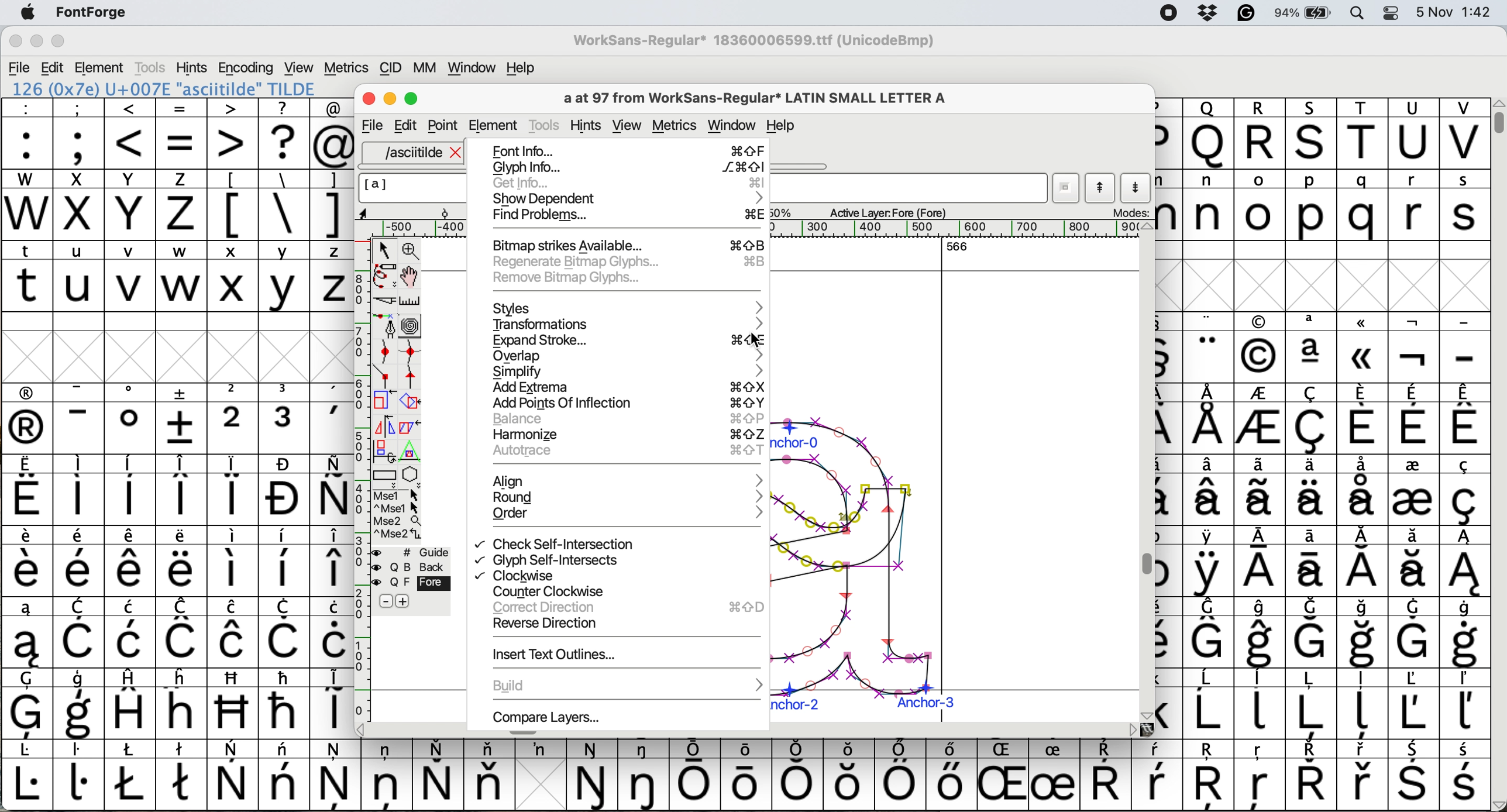  Describe the element at coordinates (1497, 804) in the screenshot. I see `scroll button` at that location.